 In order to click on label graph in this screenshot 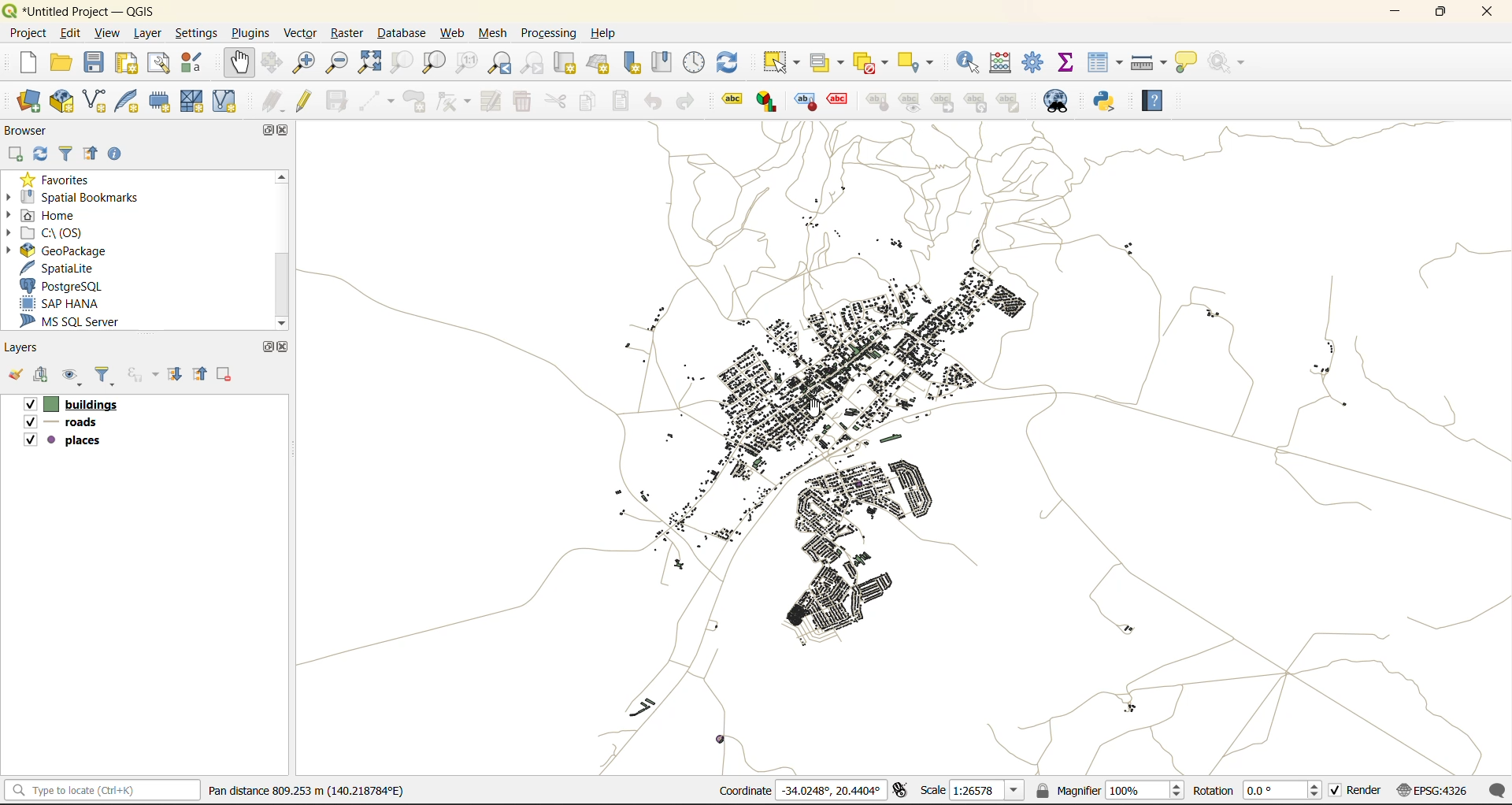, I will do `click(766, 102)`.